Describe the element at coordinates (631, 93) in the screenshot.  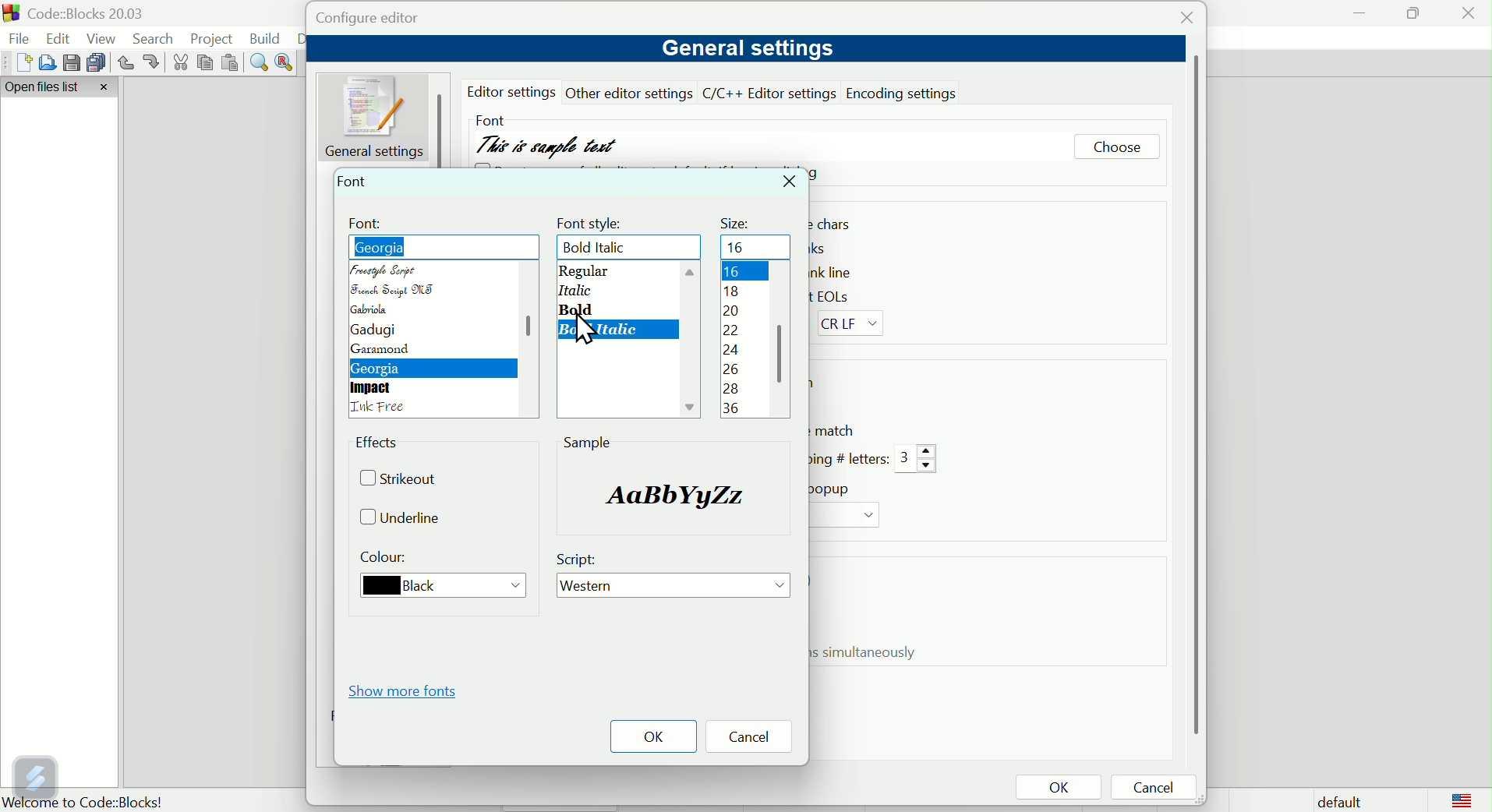
I see `other editor settings` at that location.